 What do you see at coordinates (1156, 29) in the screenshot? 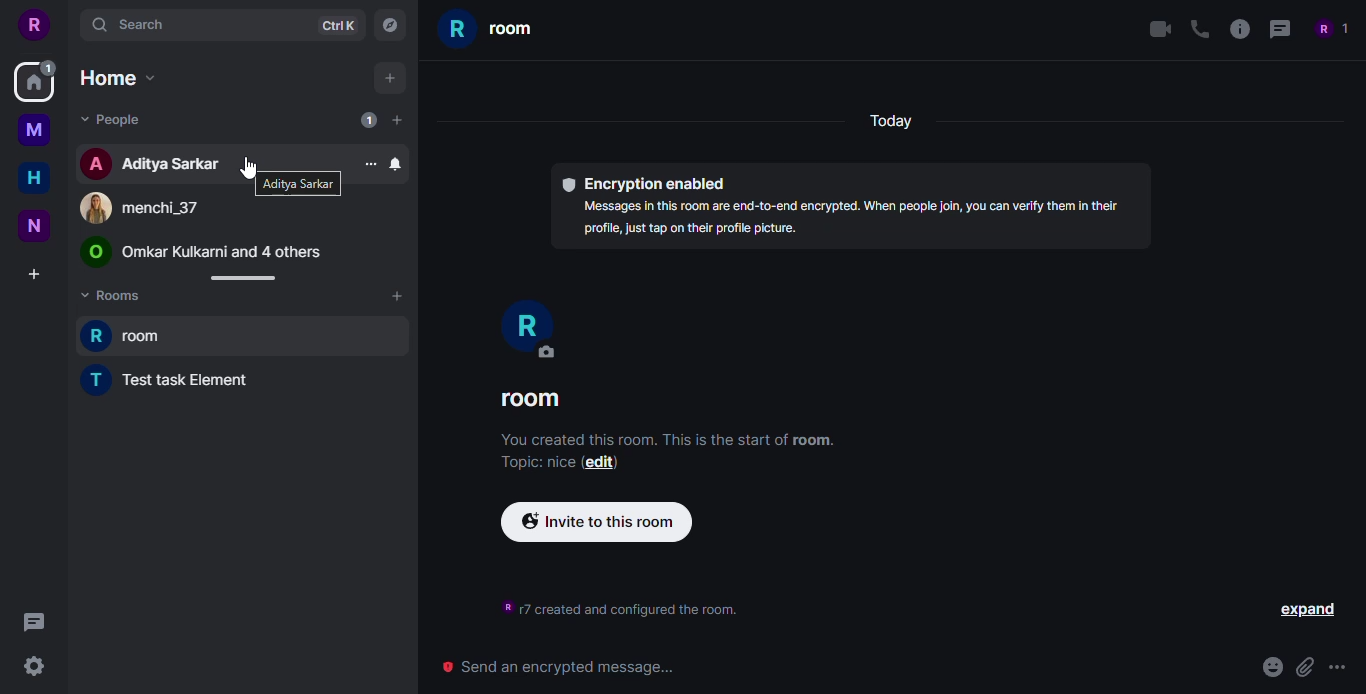
I see `video call` at bounding box center [1156, 29].